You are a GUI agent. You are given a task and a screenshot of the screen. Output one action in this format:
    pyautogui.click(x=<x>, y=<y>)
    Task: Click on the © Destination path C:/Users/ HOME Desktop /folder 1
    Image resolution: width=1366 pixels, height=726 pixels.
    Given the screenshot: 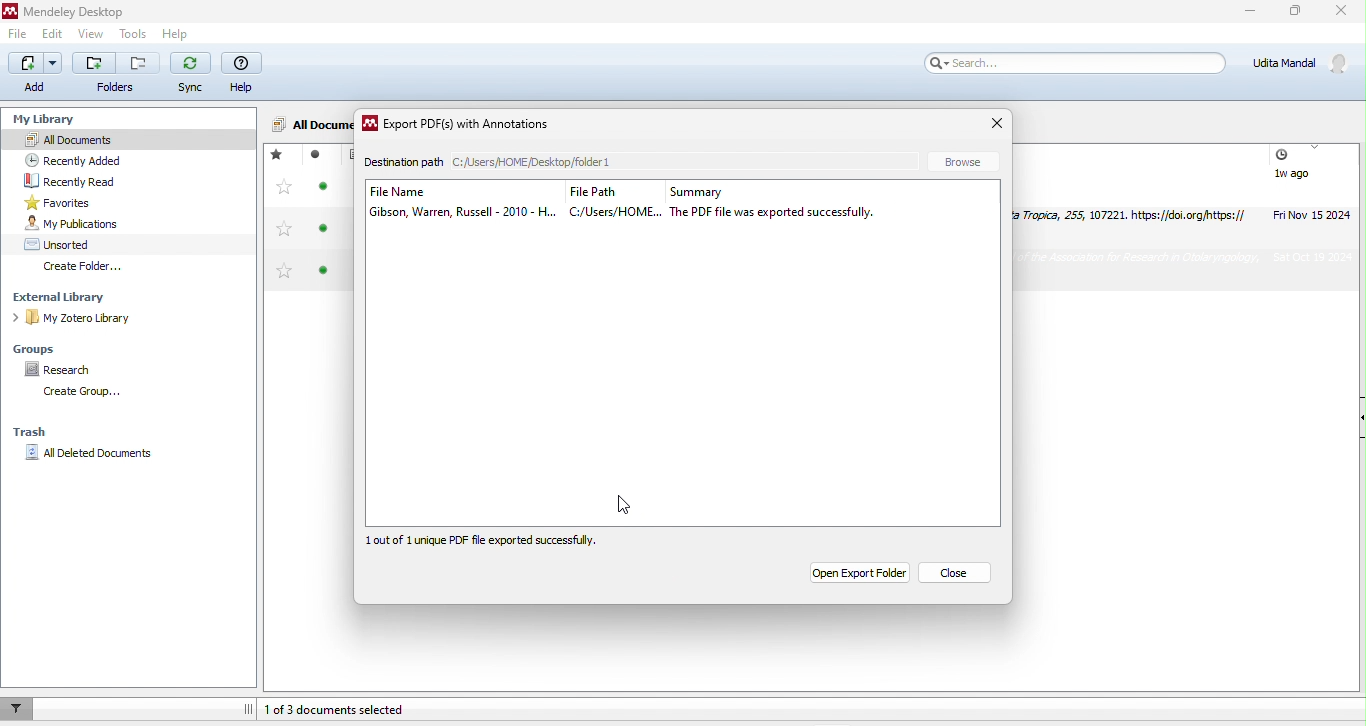 What is the action you would take?
    pyautogui.click(x=548, y=161)
    